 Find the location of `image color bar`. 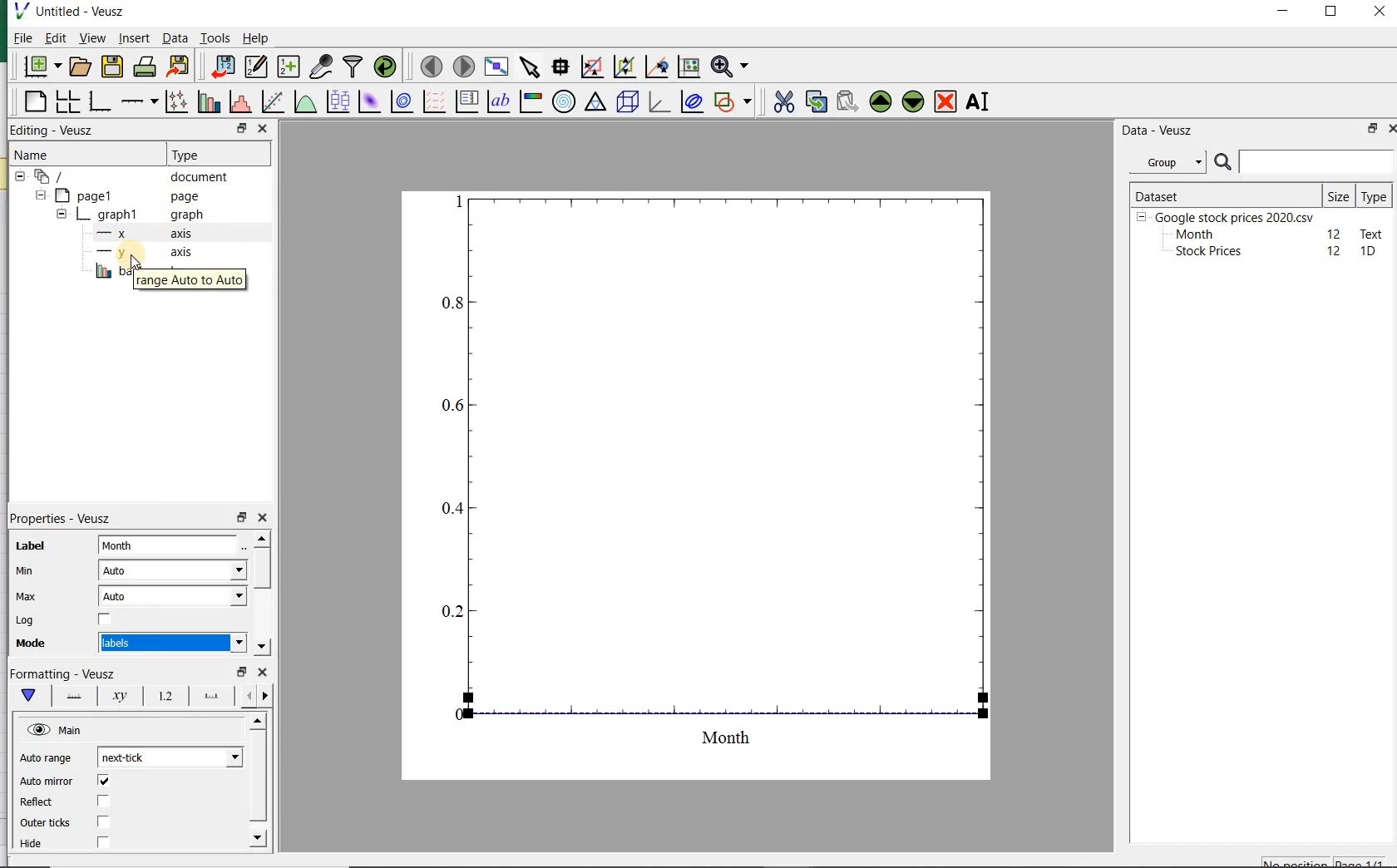

image color bar is located at coordinates (529, 101).